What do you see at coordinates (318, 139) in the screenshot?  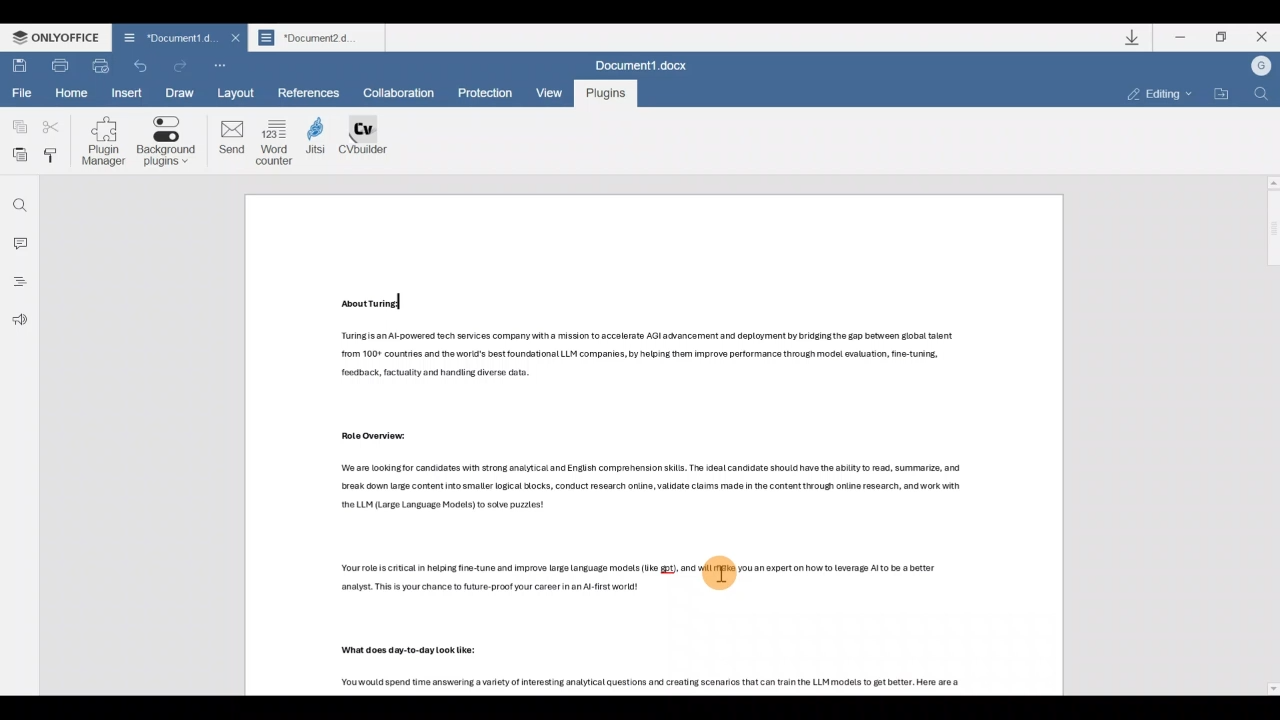 I see `Jitsi` at bounding box center [318, 139].